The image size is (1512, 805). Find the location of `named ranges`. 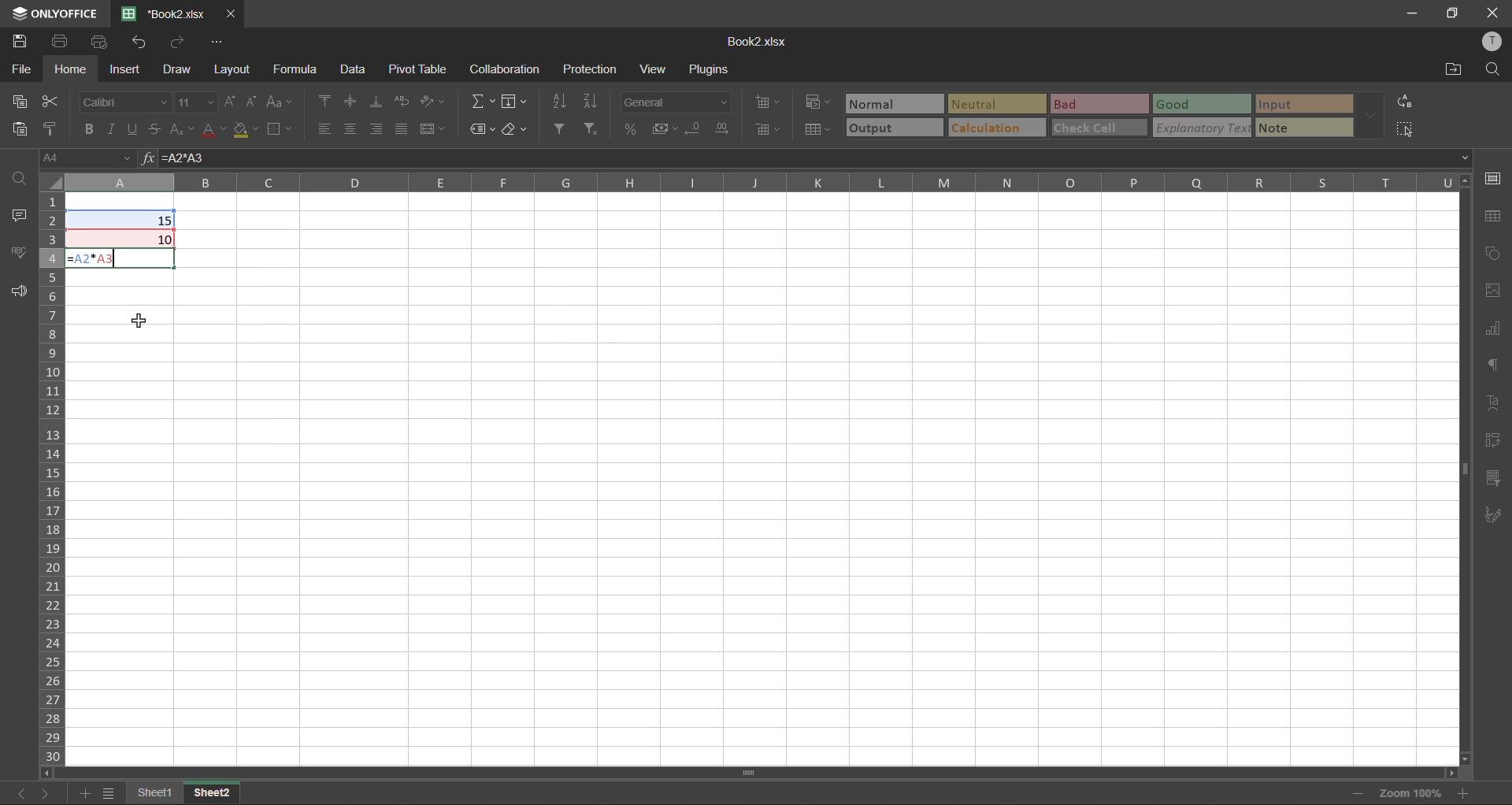

named ranges is located at coordinates (484, 129).